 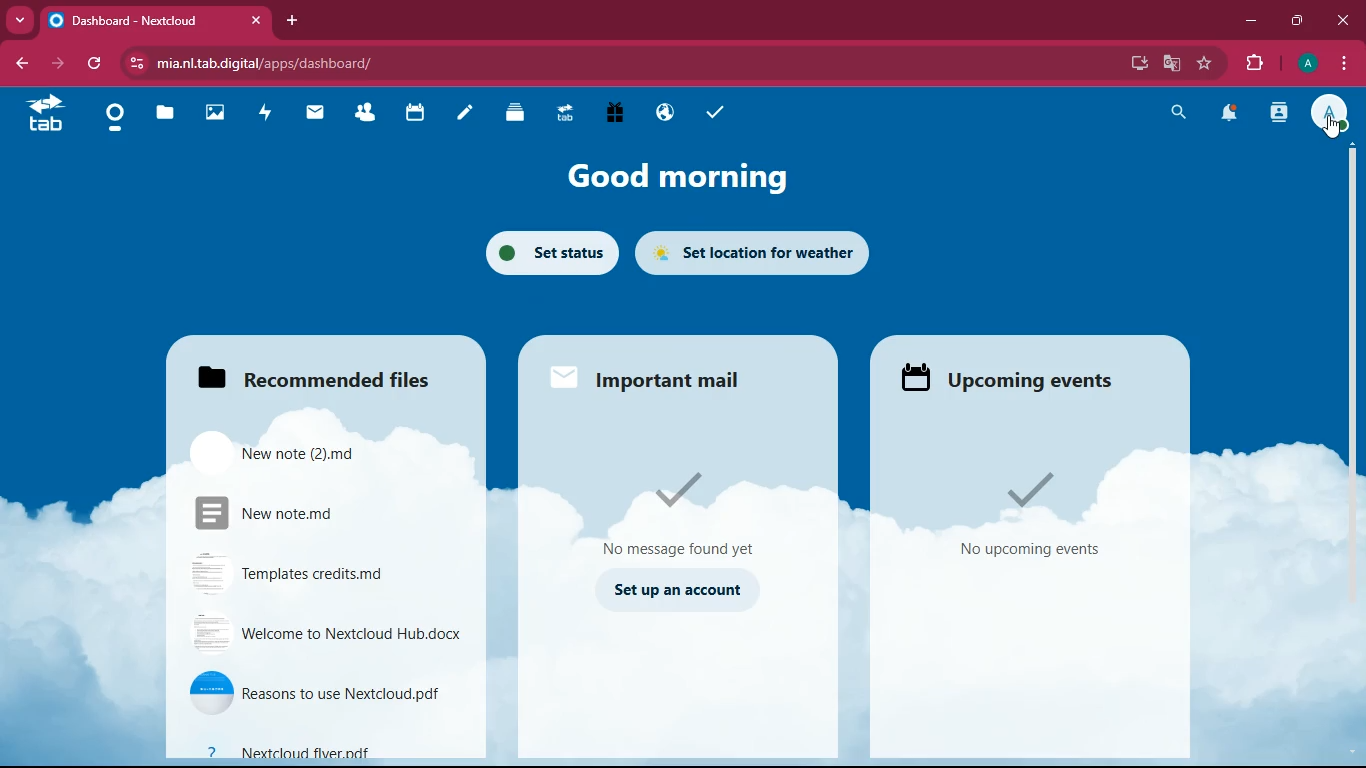 I want to click on events, so click(x=1015, y=374).